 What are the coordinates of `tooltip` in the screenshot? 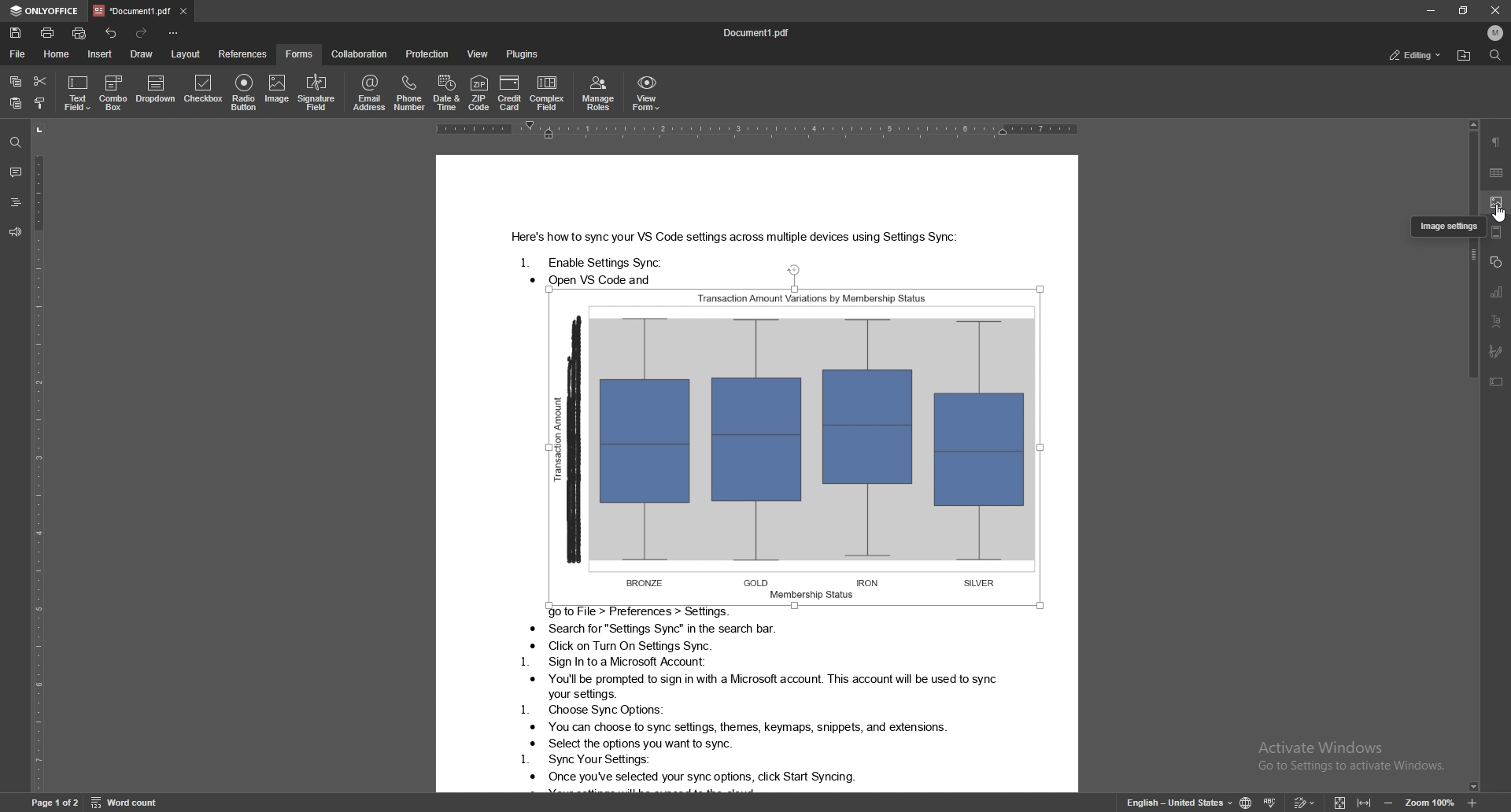 It's located at (1449, 227).